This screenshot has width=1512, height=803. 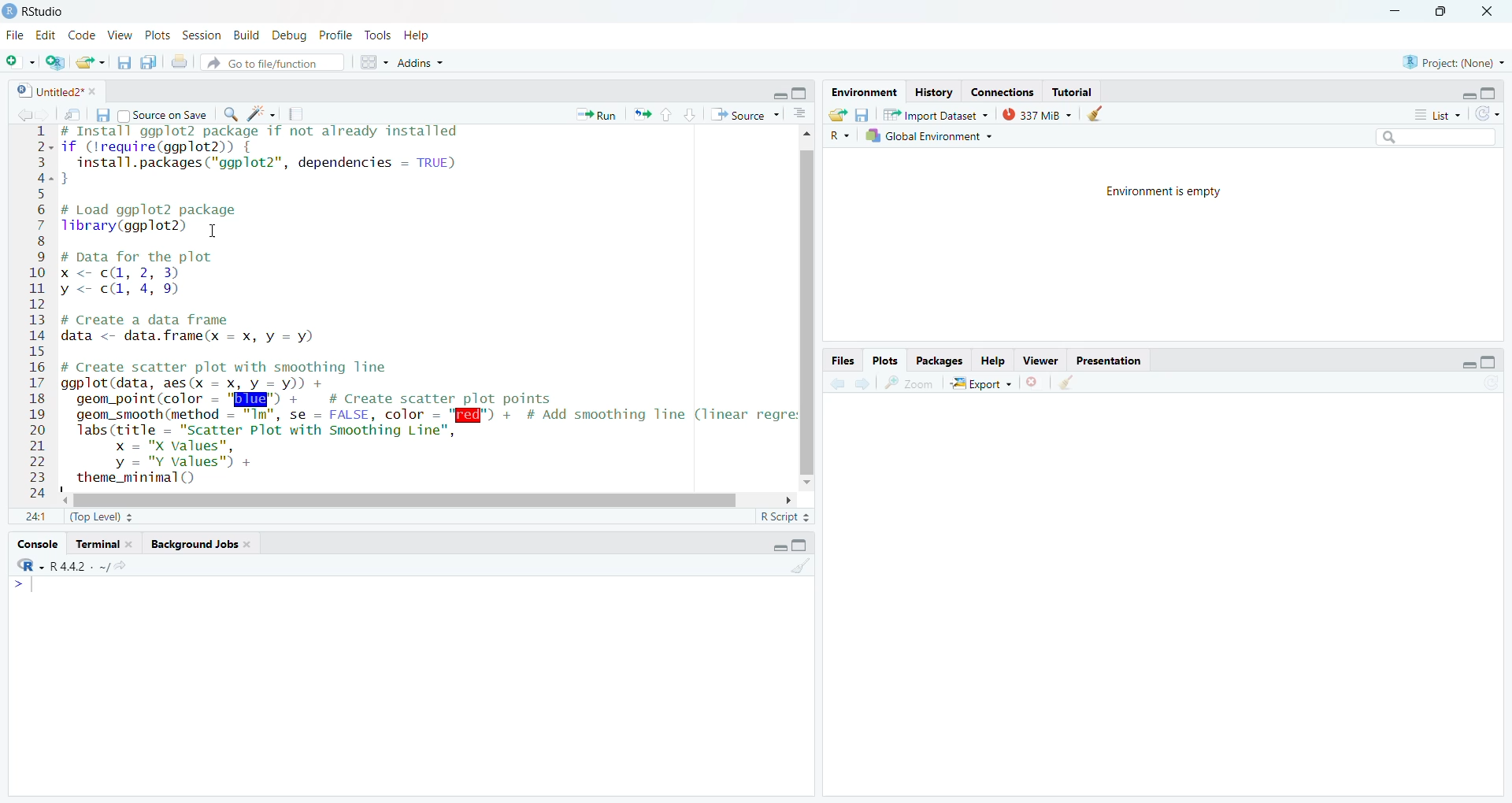 I want to click on vertical scroll bar, so click(x=810, y=313).